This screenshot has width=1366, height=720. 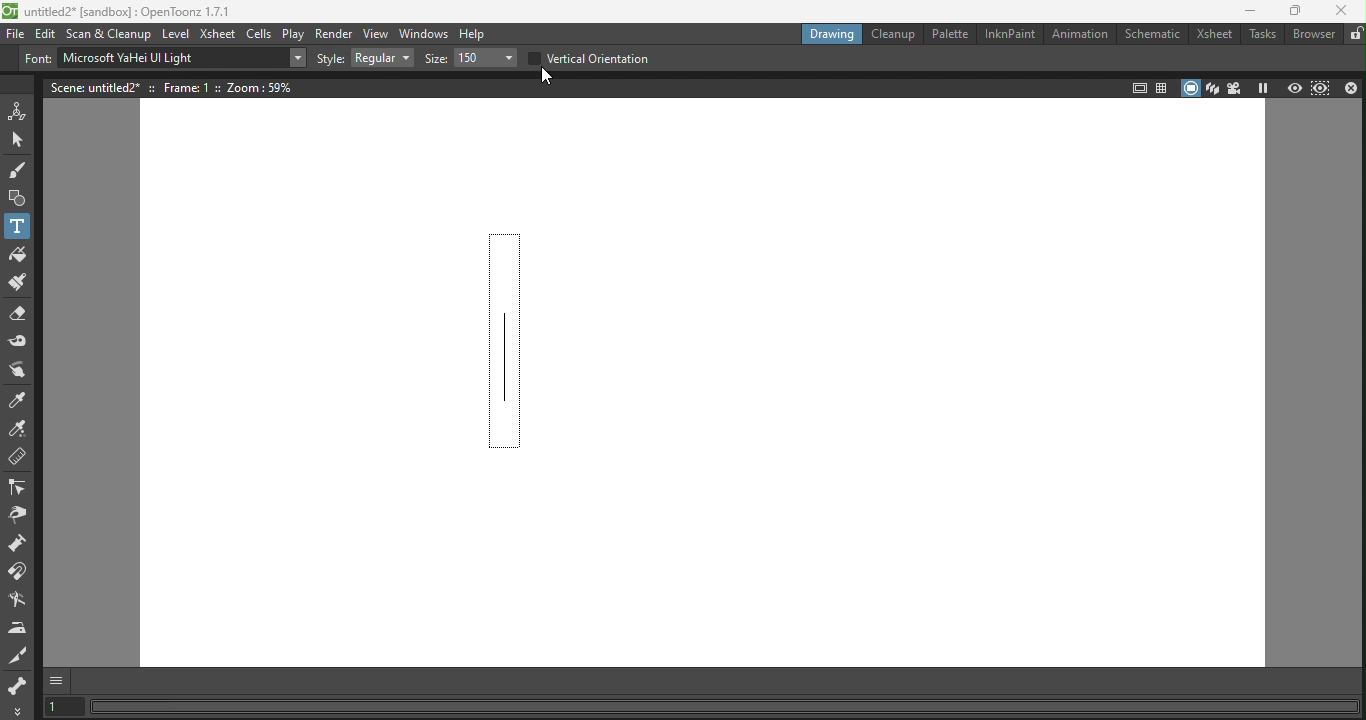 What do you see at coordinates (173, 86) in the screenshot?
I see `Scene details` at bounding box center [173, 86].